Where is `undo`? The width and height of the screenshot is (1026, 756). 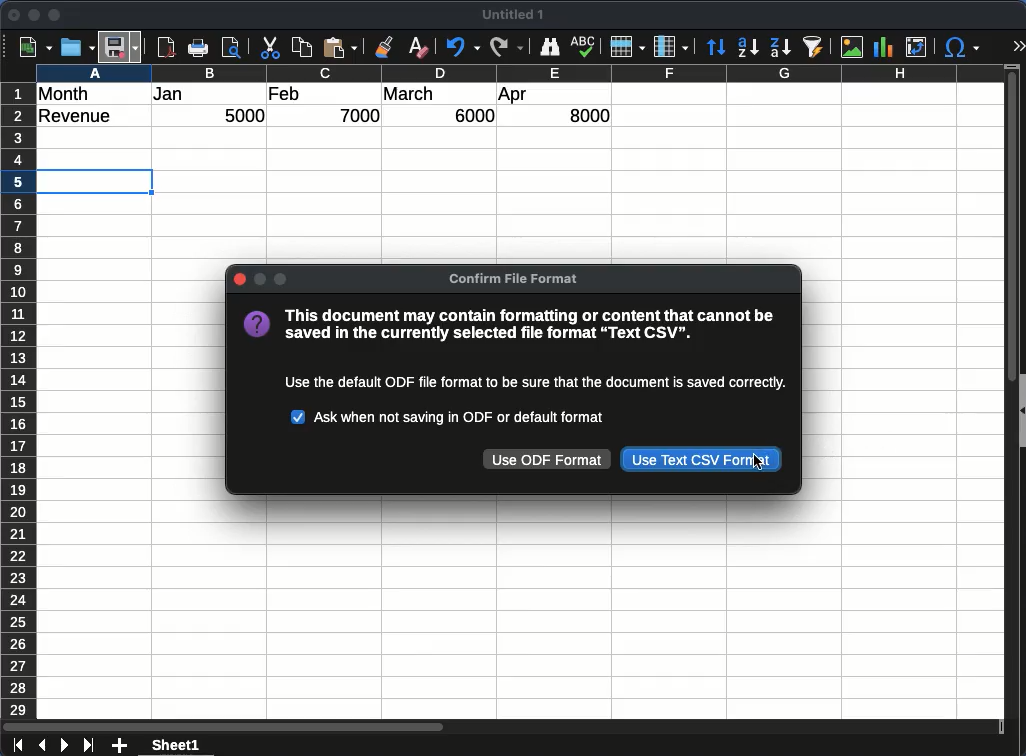
undo is located at coordinates (460, 48).